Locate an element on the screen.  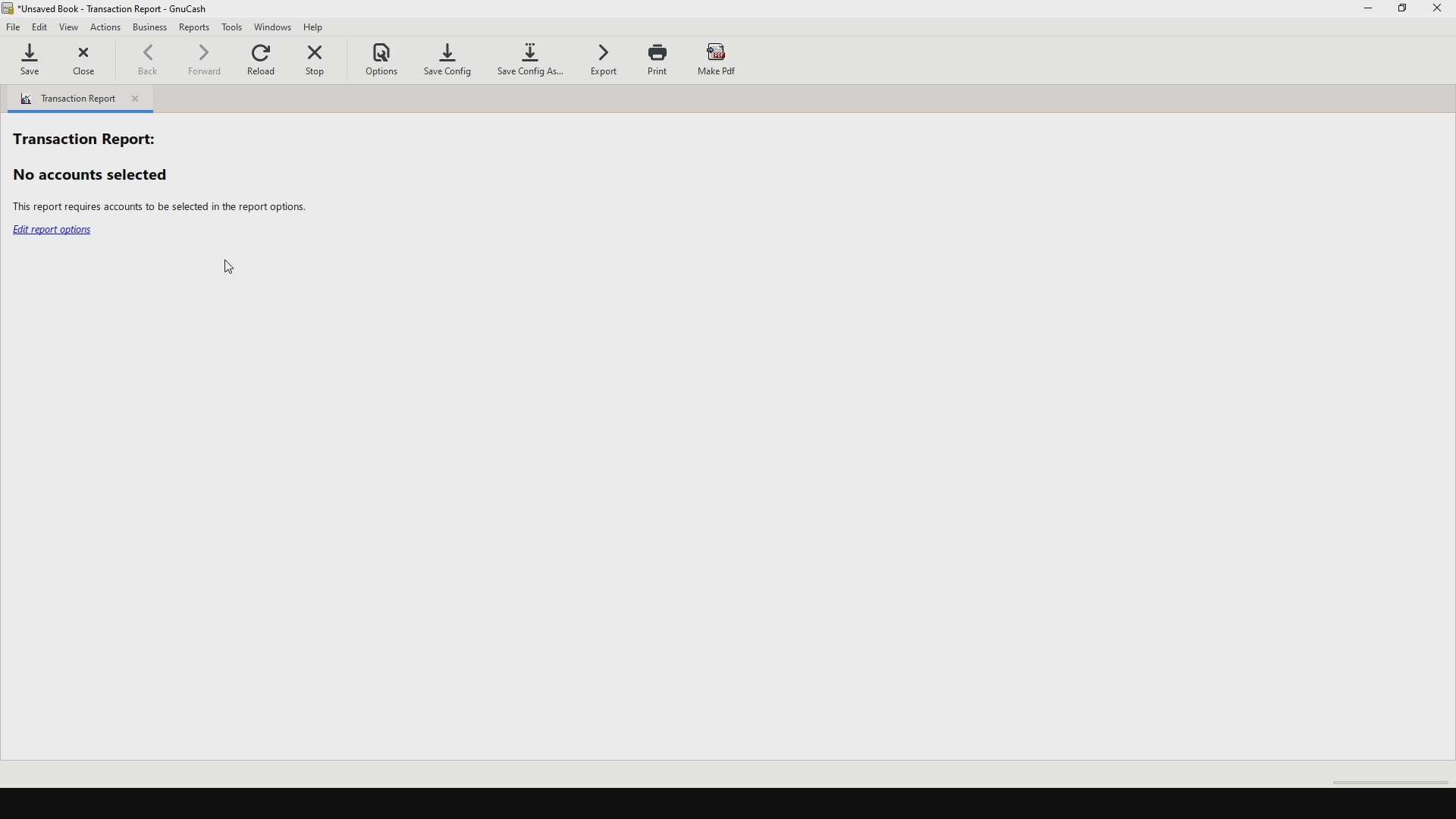
transaction report is located at coordinates (65, 99).